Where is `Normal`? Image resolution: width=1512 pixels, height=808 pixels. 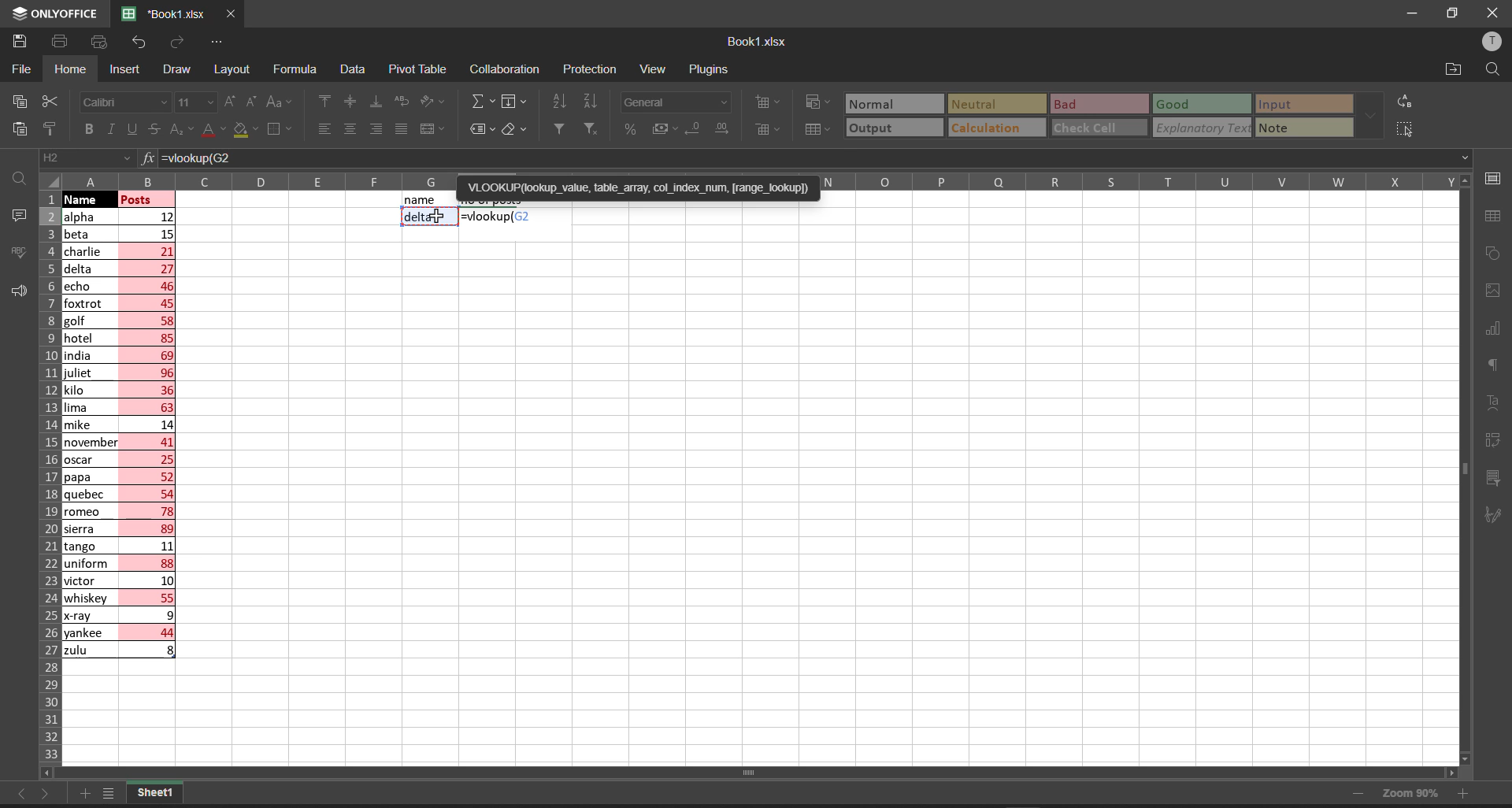
Normal is located at coordinates (881, 103).